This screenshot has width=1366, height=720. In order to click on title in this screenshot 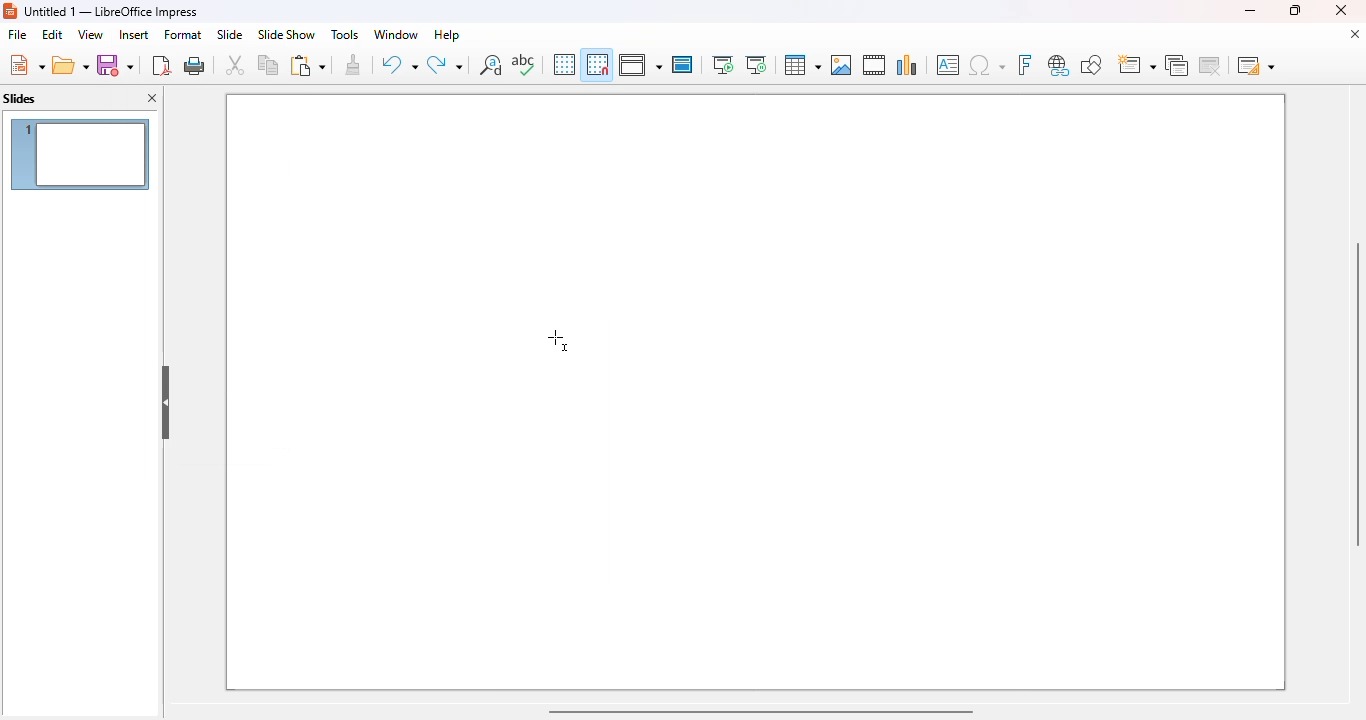, I will do `click(112, 11)`.